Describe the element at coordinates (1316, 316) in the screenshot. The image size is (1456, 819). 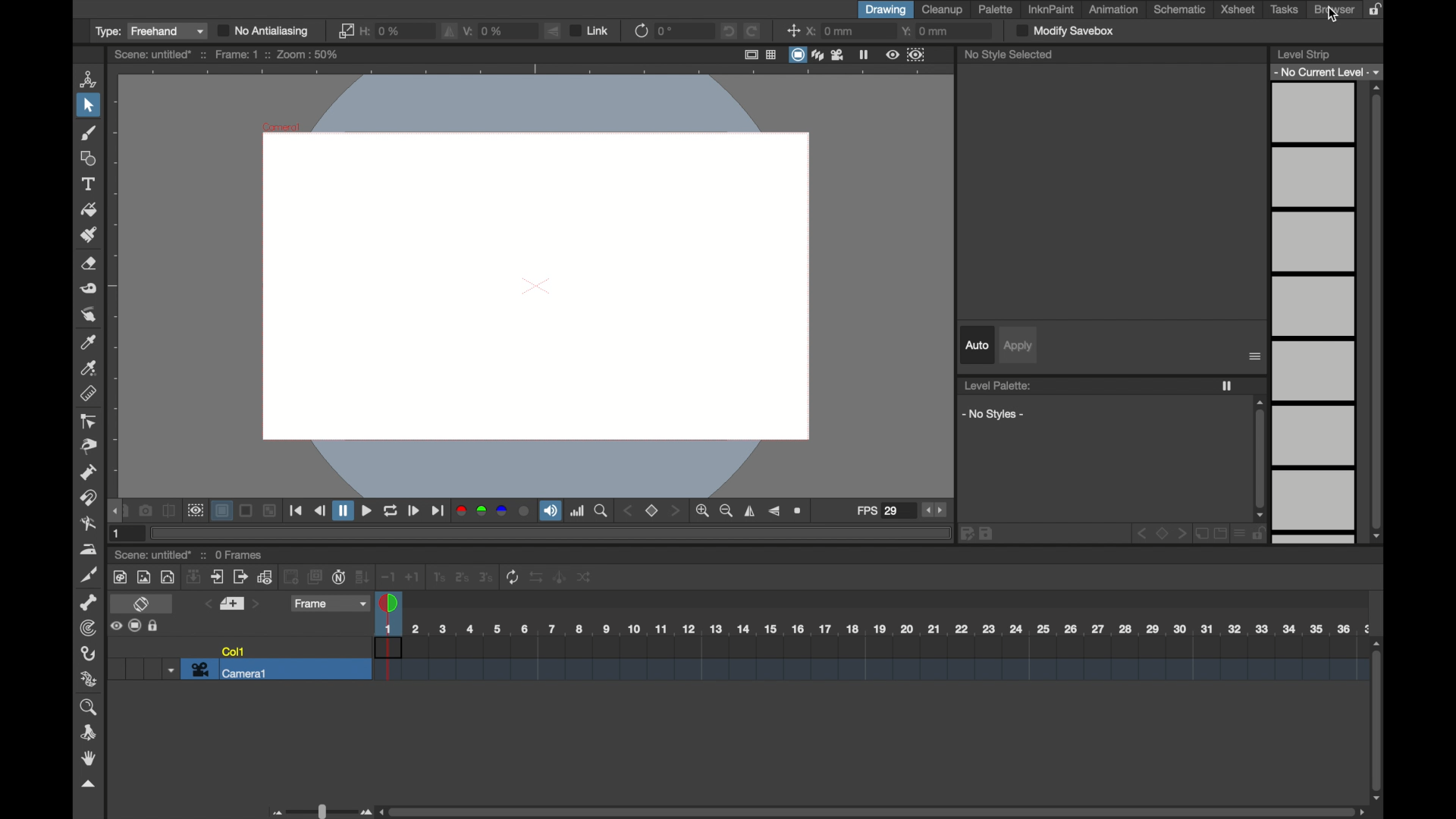
I see `levels` at that location.